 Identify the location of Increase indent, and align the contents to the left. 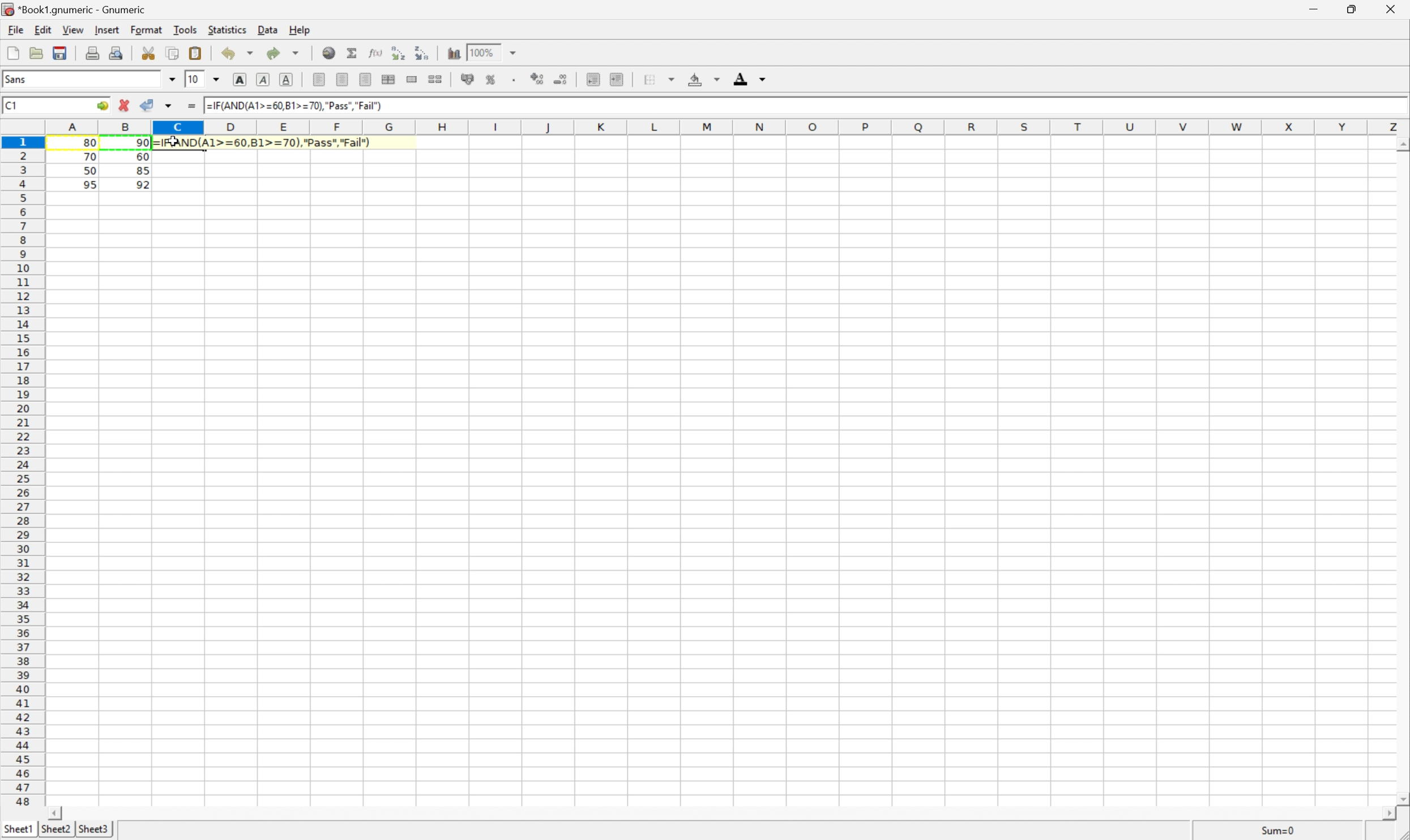
(619, 78).